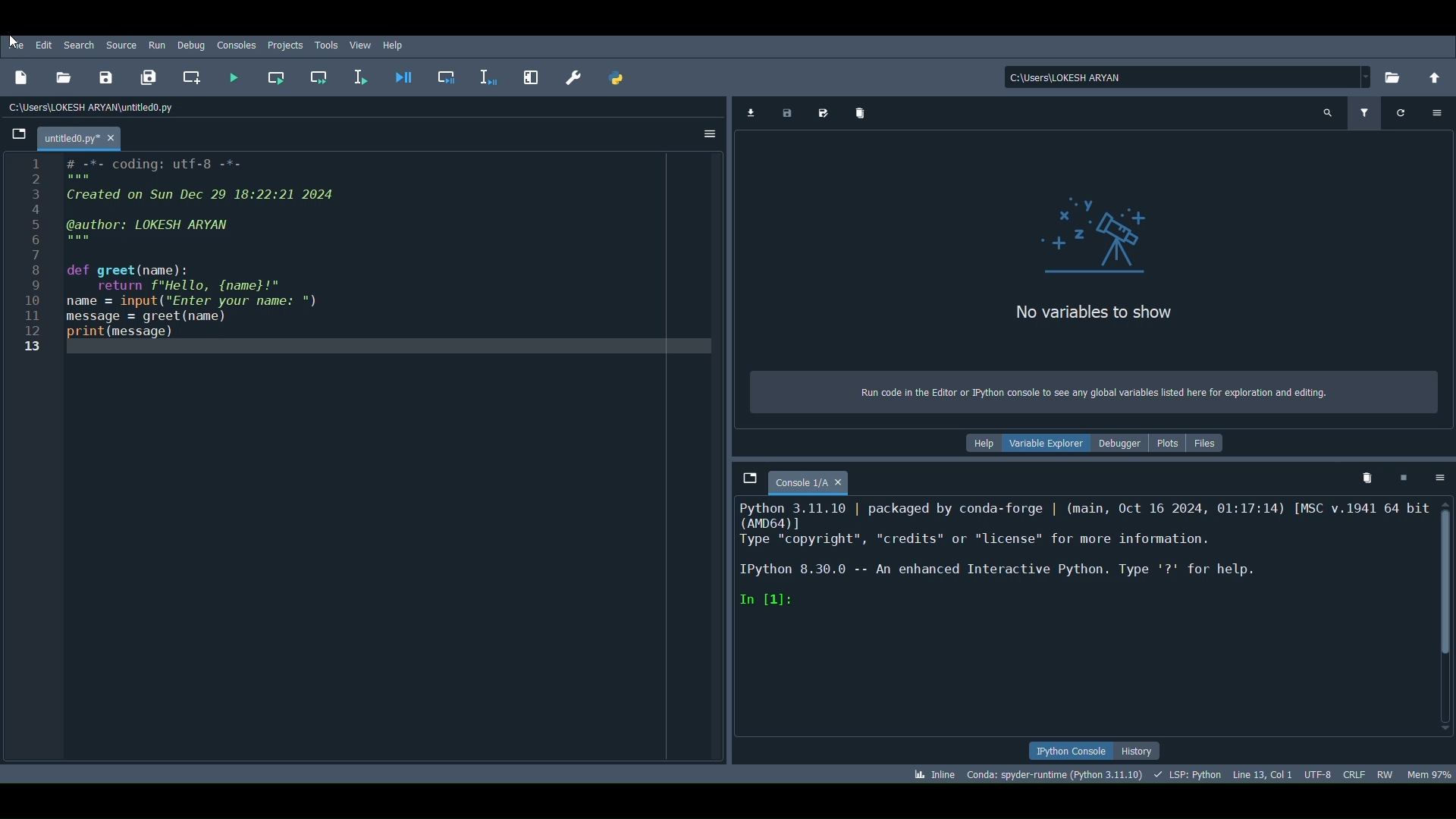 Image resolution: width=1456 pixels, height=819 pixels. I want to click on Save data as, so click(824, 114).